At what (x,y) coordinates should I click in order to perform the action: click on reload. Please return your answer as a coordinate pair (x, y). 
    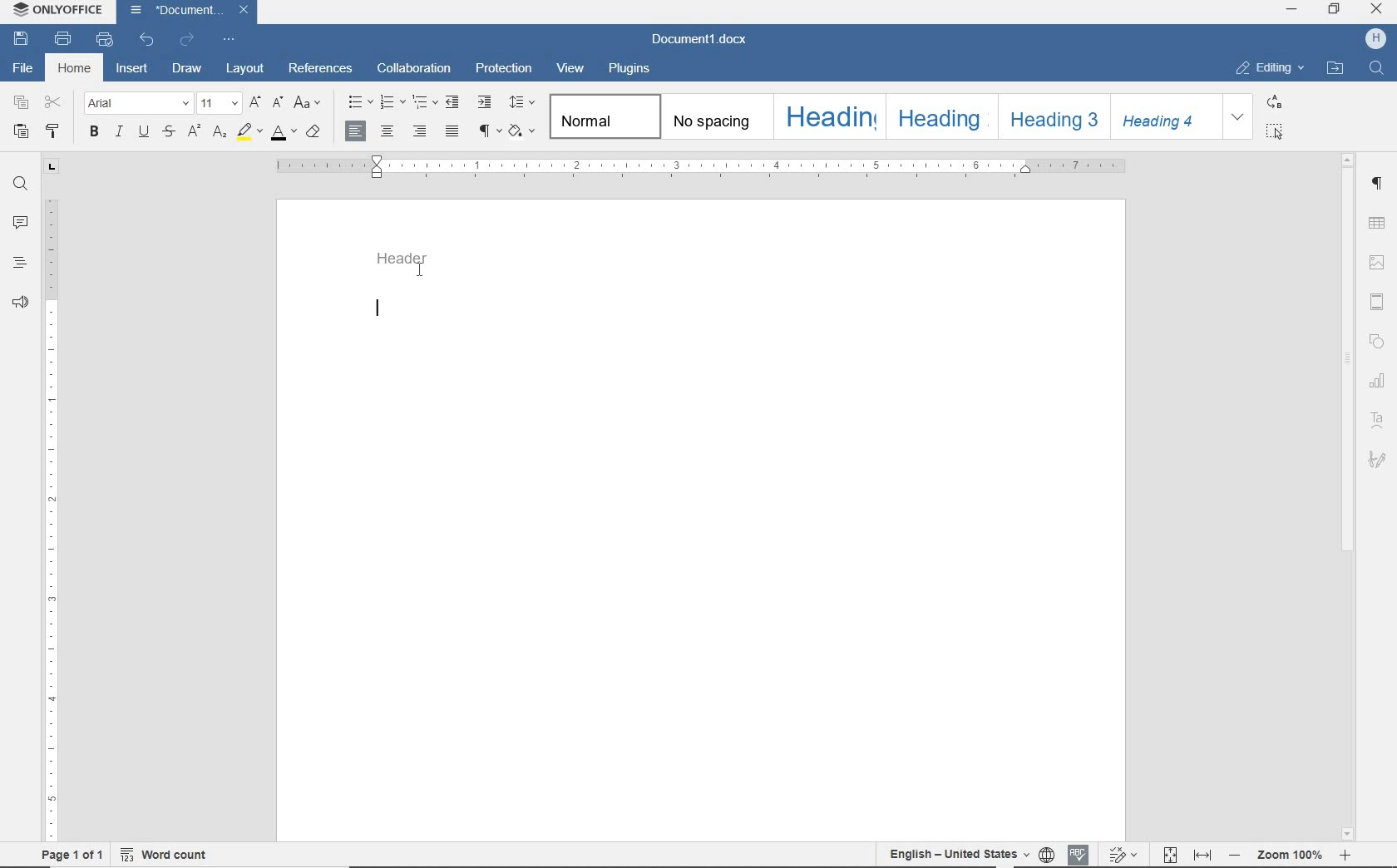
    Looking at the image, I should click on (188, 37).